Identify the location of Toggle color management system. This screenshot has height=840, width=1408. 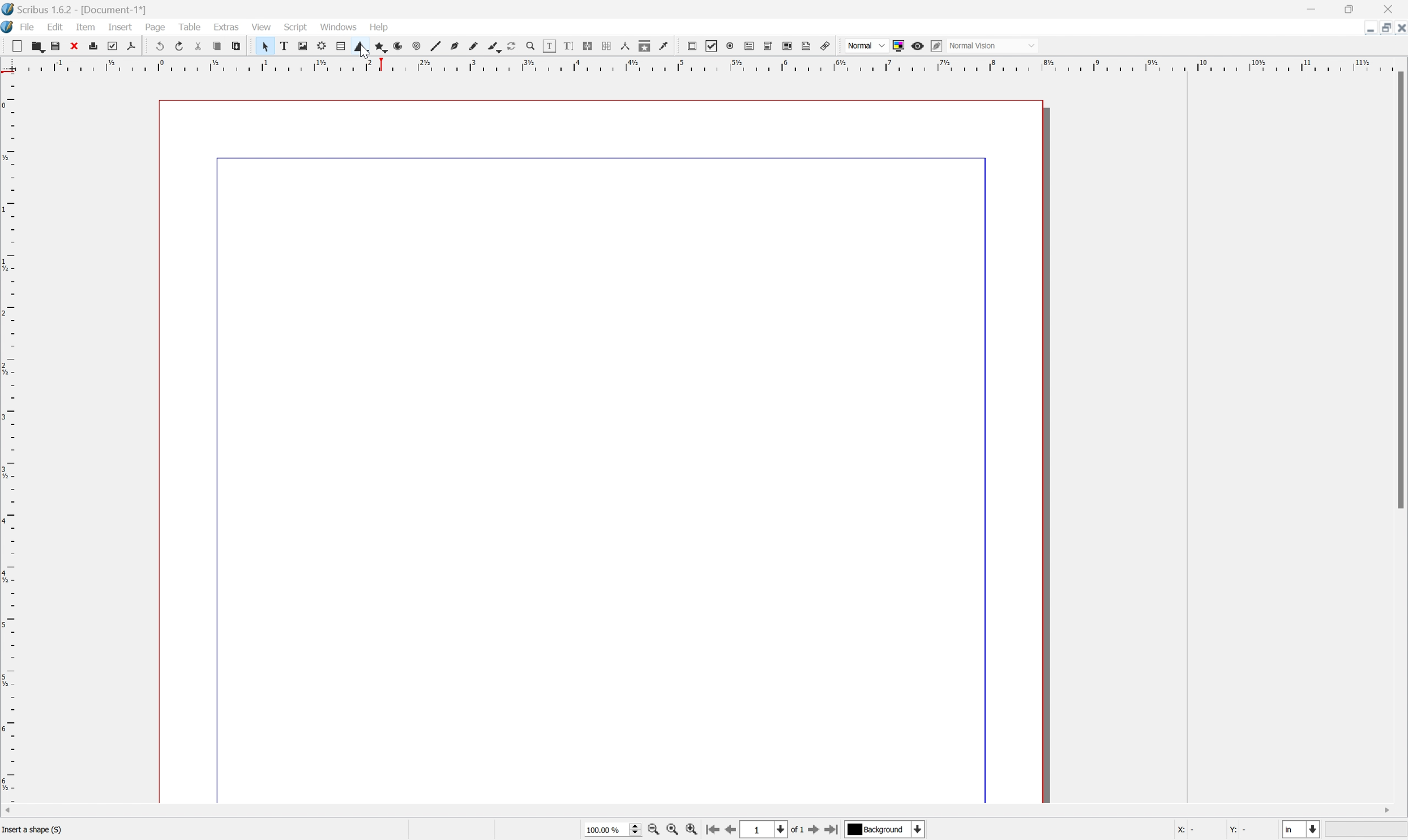
(898, 46).